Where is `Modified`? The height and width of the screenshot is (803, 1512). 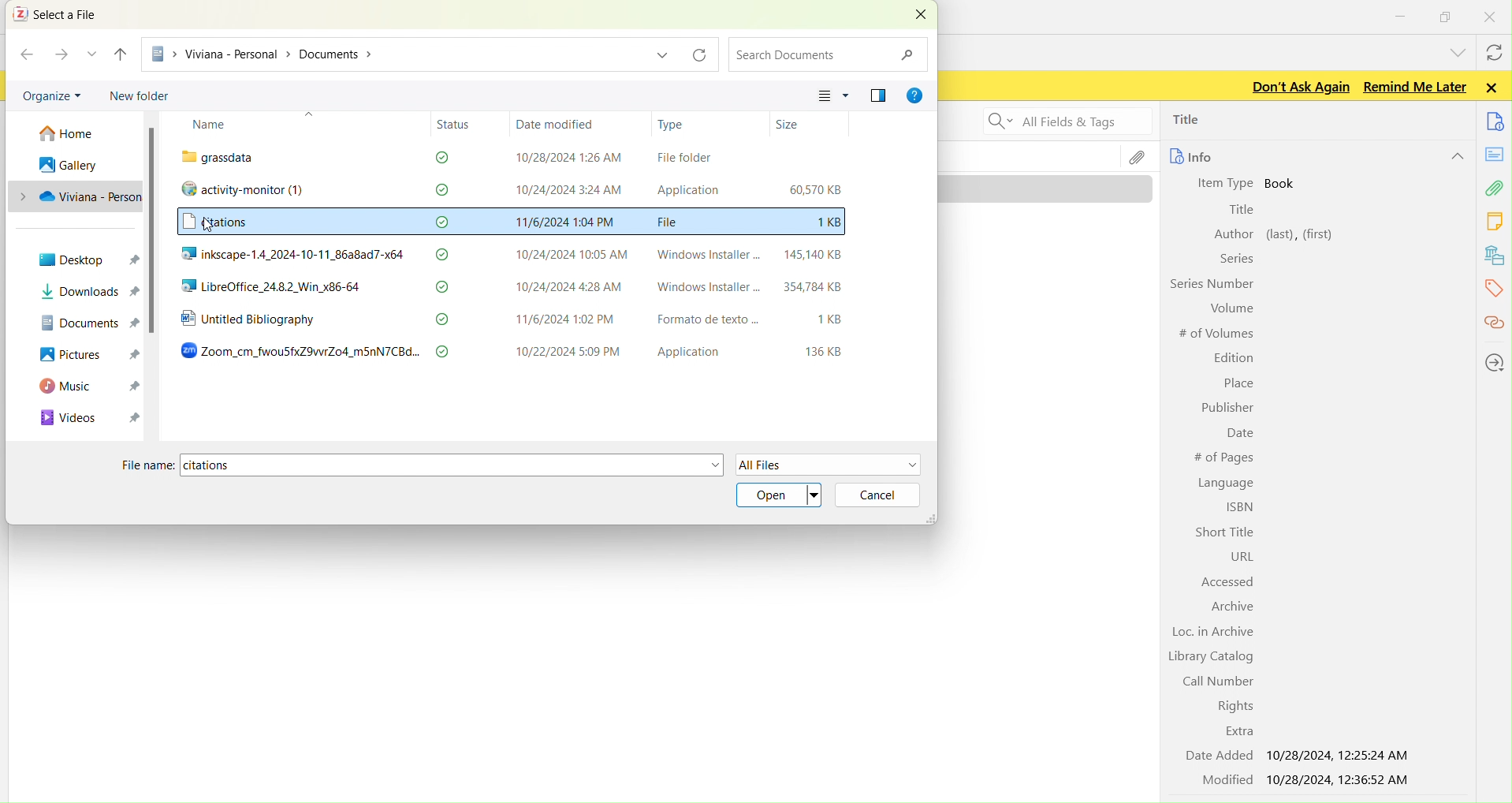 Modified is located at coordinates (1214, 779).